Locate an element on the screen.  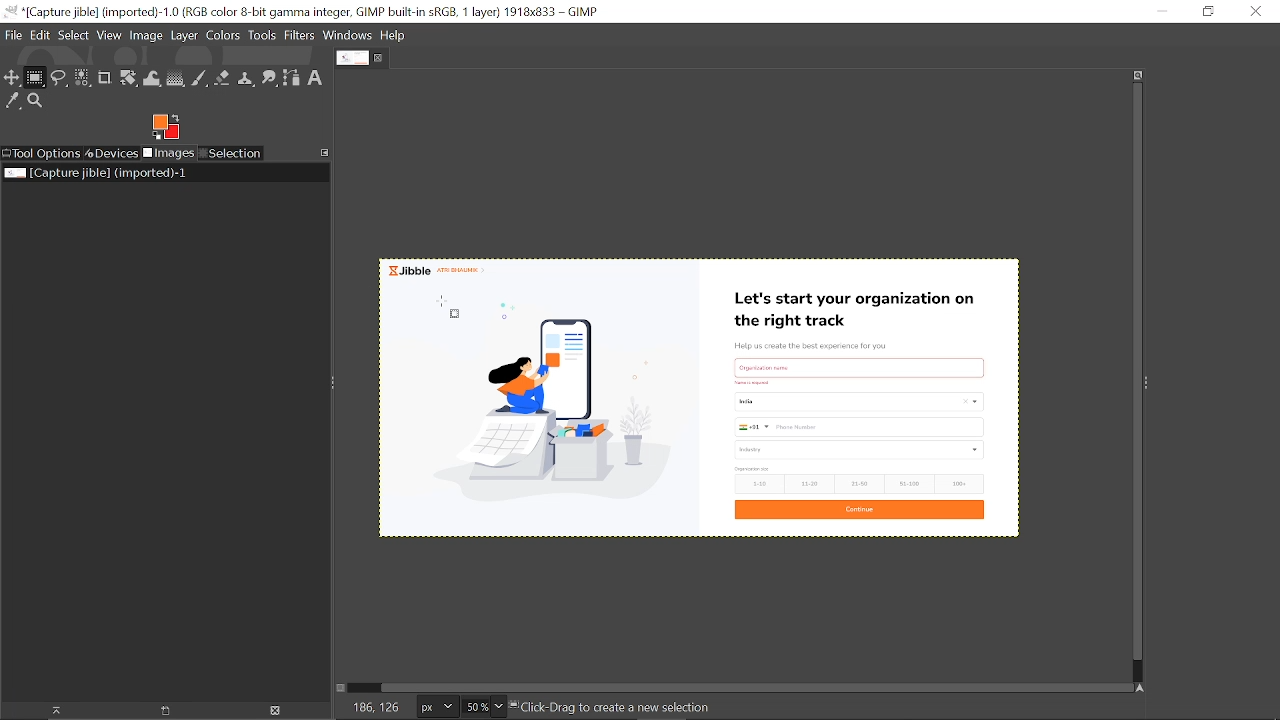
Zoom tool is located at coordinates (37, 102).